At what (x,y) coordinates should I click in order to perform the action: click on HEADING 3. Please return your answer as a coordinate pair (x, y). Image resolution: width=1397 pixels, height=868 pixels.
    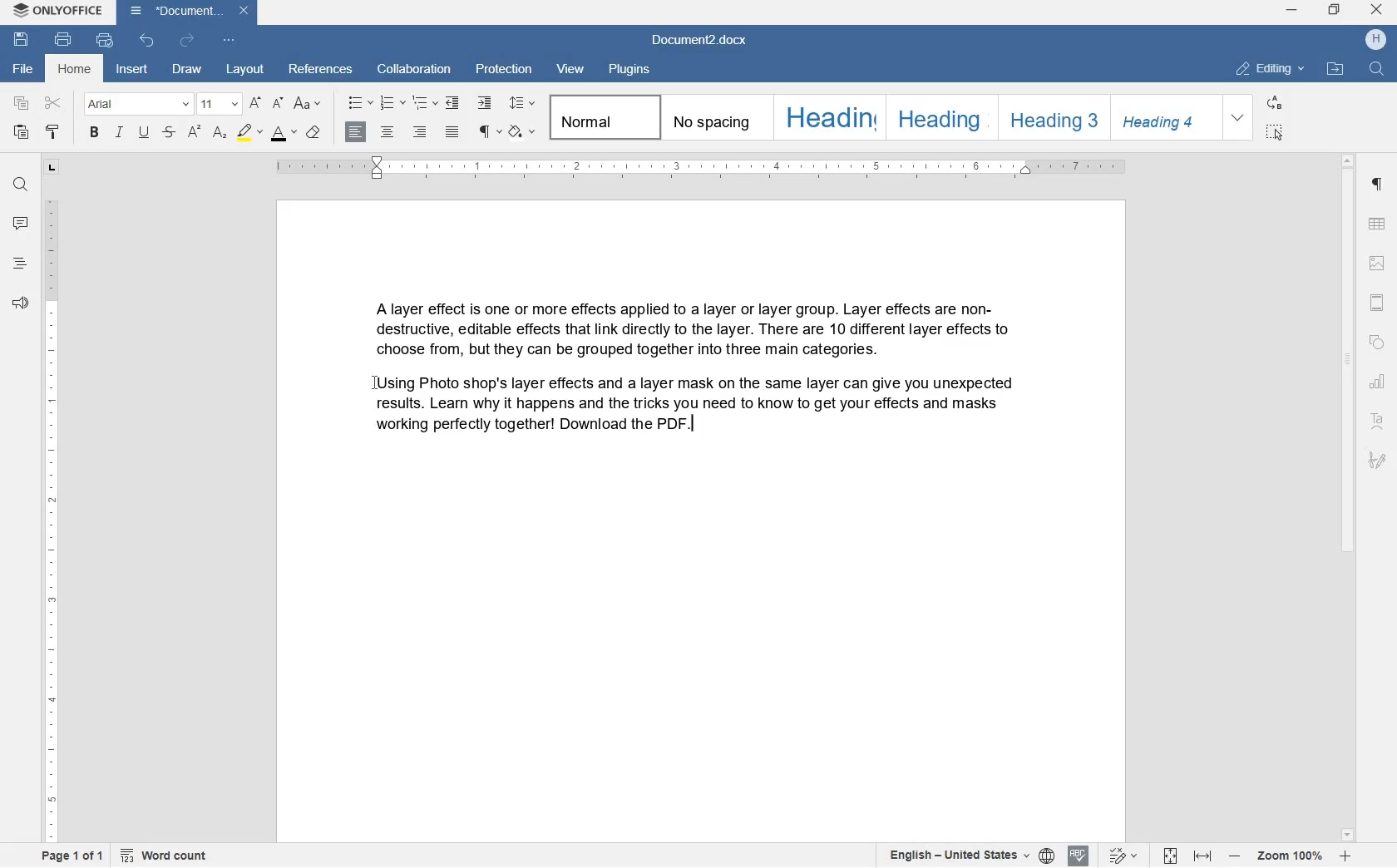
    Looking at the image, I should click on (1049, 116).